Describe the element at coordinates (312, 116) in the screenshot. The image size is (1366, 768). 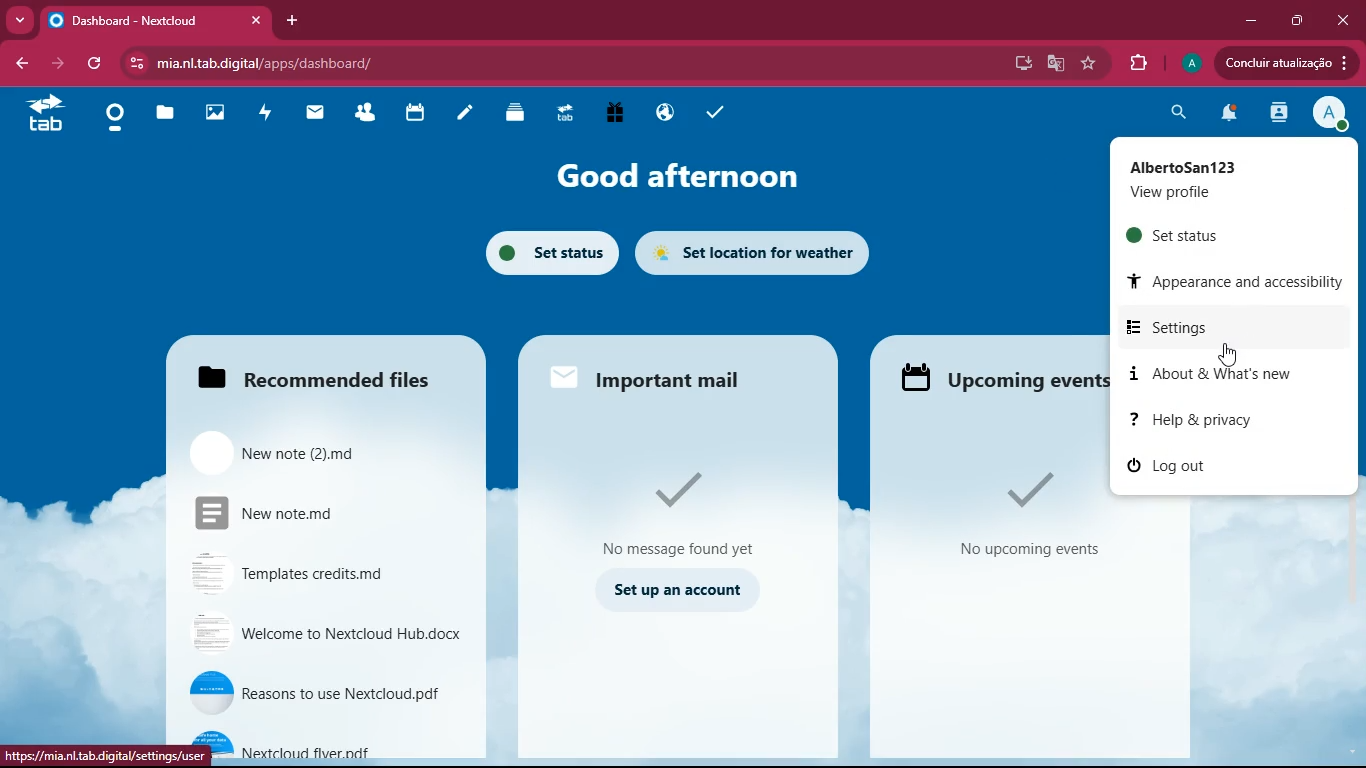
I see `mail` at that location.